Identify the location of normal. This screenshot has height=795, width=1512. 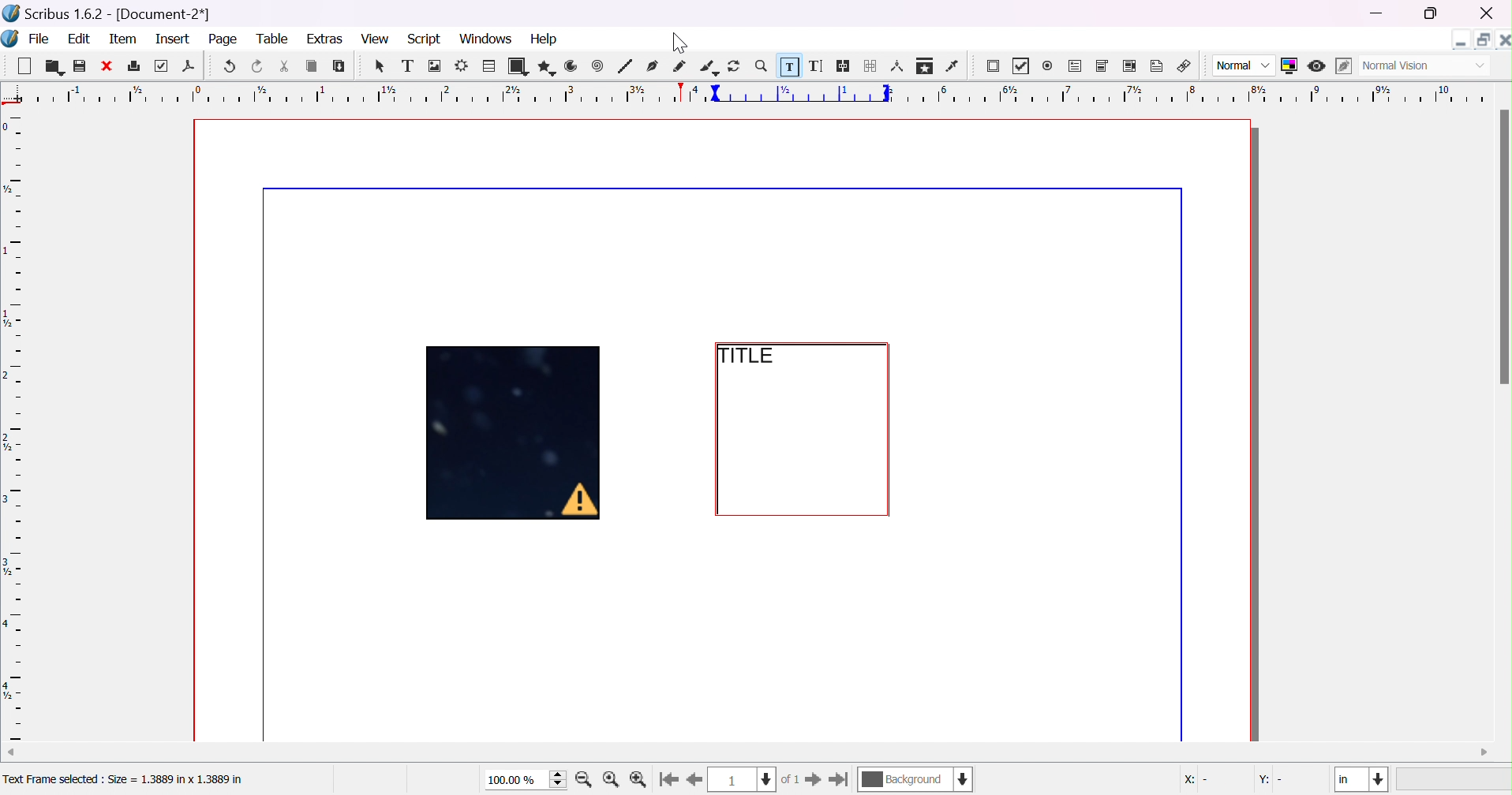
(1244, 66).